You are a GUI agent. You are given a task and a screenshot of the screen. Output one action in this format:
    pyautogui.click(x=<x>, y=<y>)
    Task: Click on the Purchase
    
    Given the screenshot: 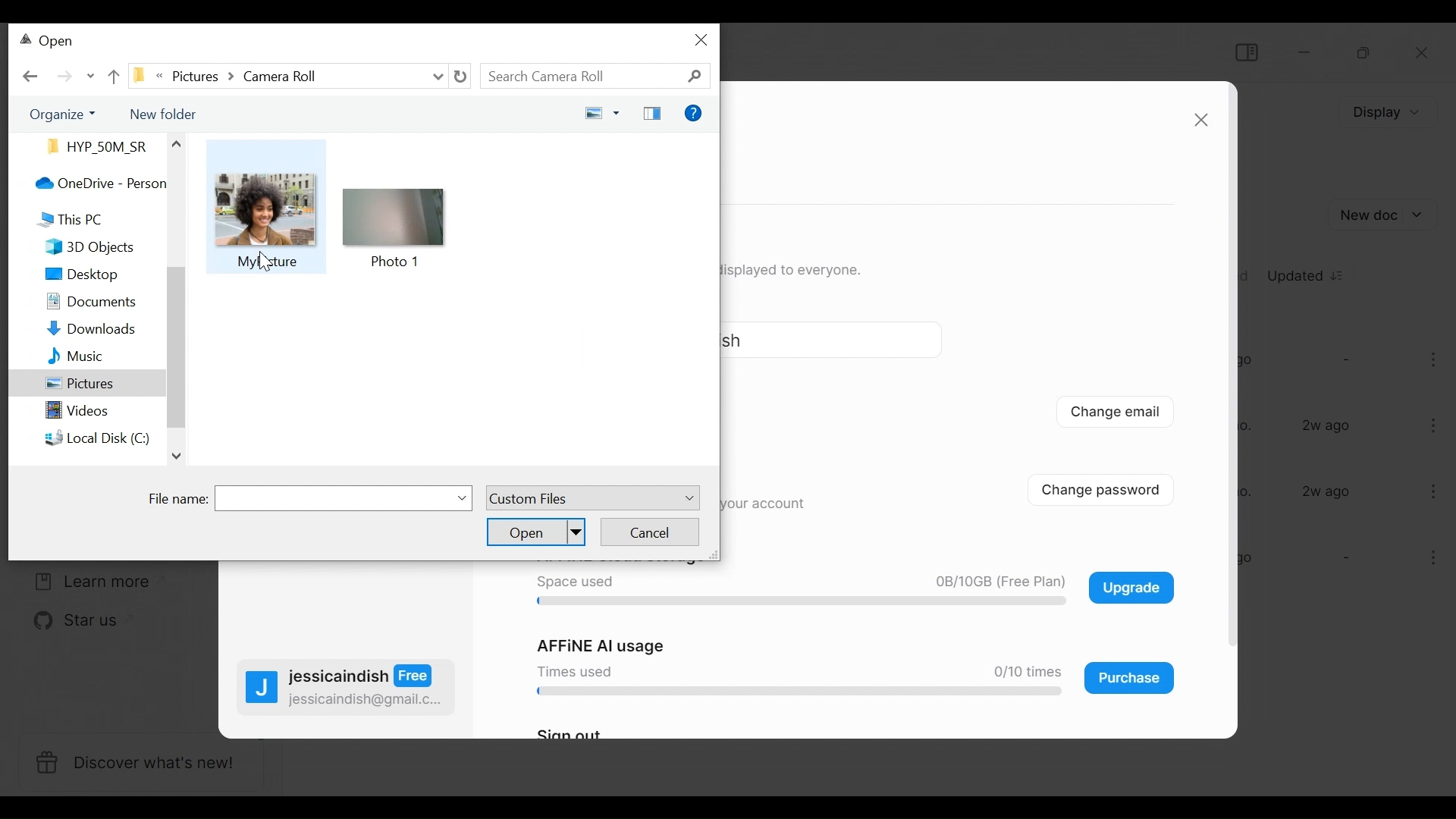 What is the action you would take?
    pyautogui.click(x=1130, y=678)
    